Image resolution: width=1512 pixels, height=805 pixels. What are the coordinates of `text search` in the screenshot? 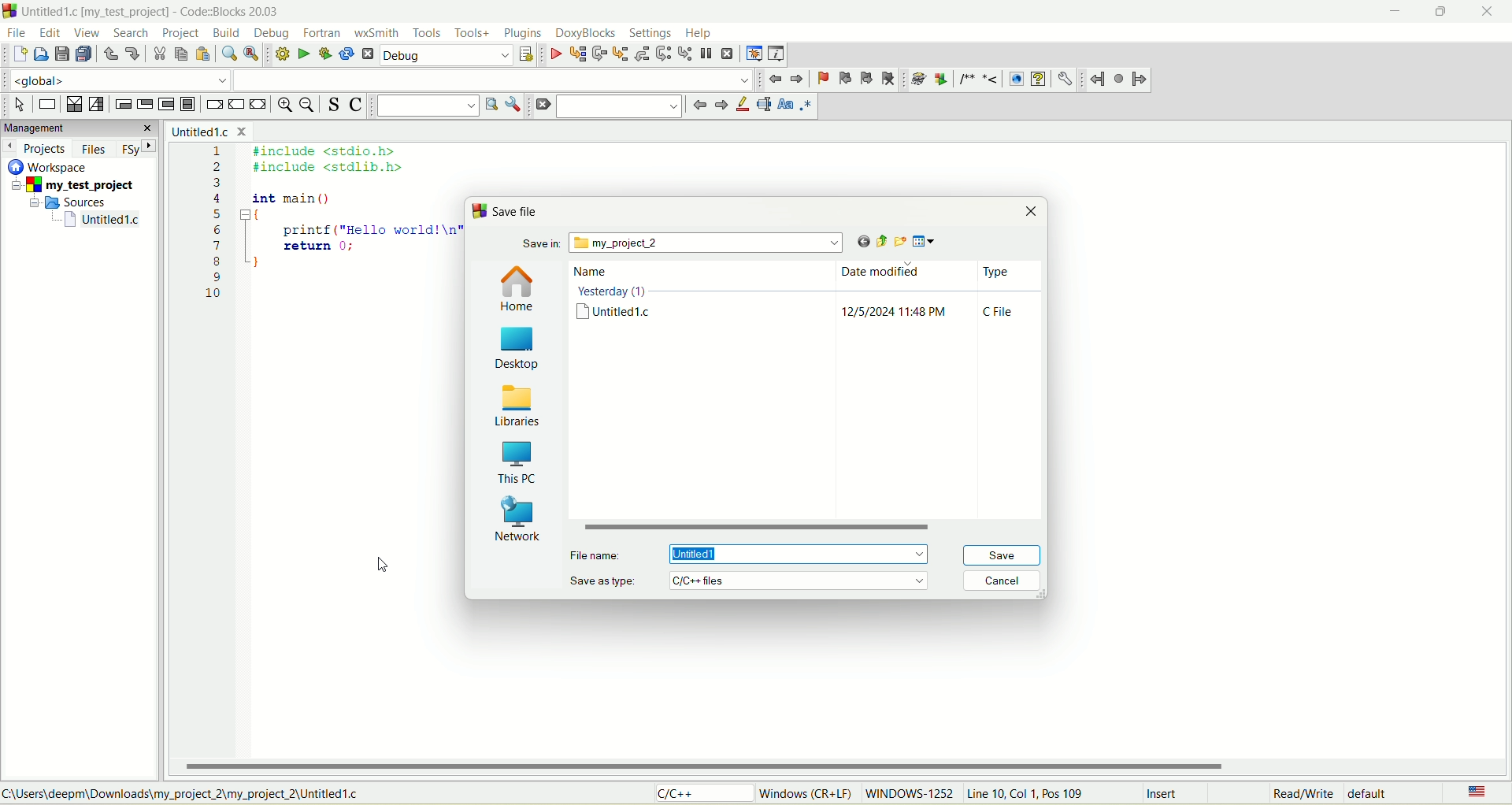 It's located at (427, 106).